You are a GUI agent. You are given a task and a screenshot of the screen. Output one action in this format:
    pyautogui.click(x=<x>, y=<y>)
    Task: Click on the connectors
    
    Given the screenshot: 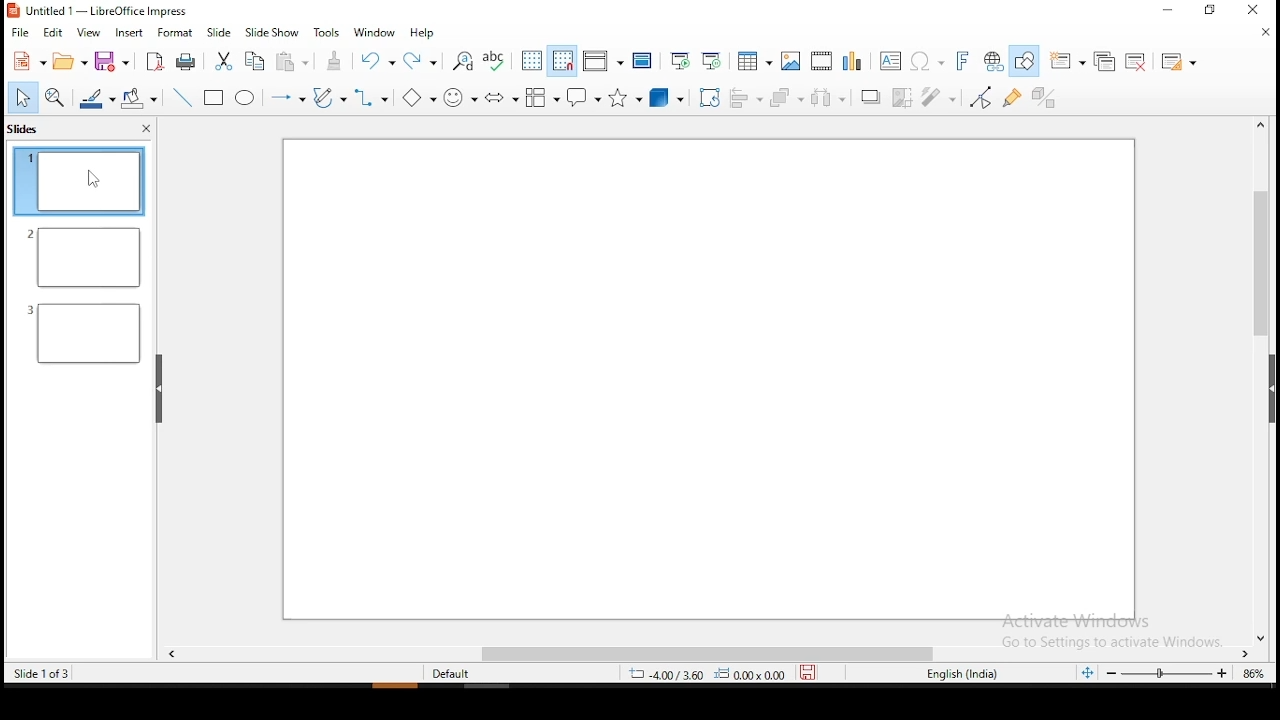 What is the action you would take?
    pyautogui.click(x=370, y=99)
    